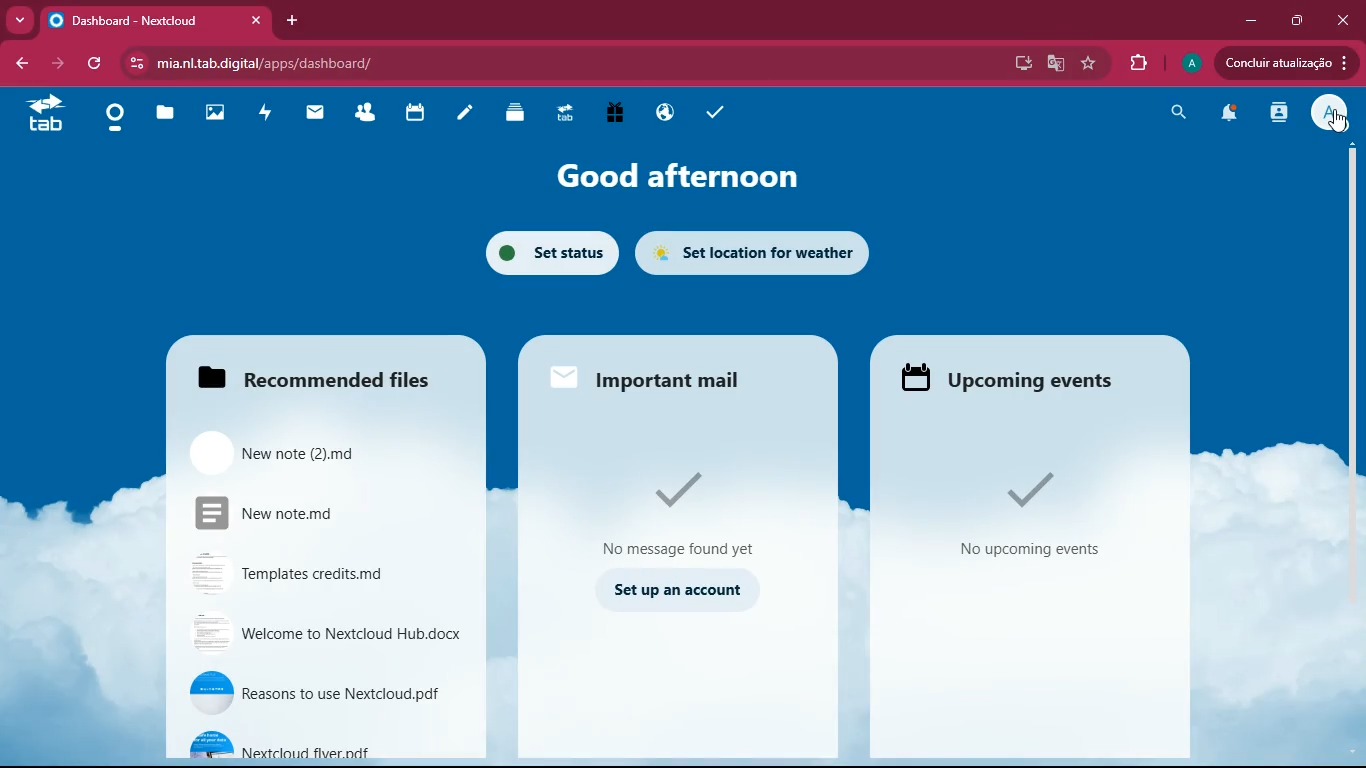 The width and height of the screenshot is (1366, 768). I want to click on Dashboard - Nextcloud, so click(157, 21).